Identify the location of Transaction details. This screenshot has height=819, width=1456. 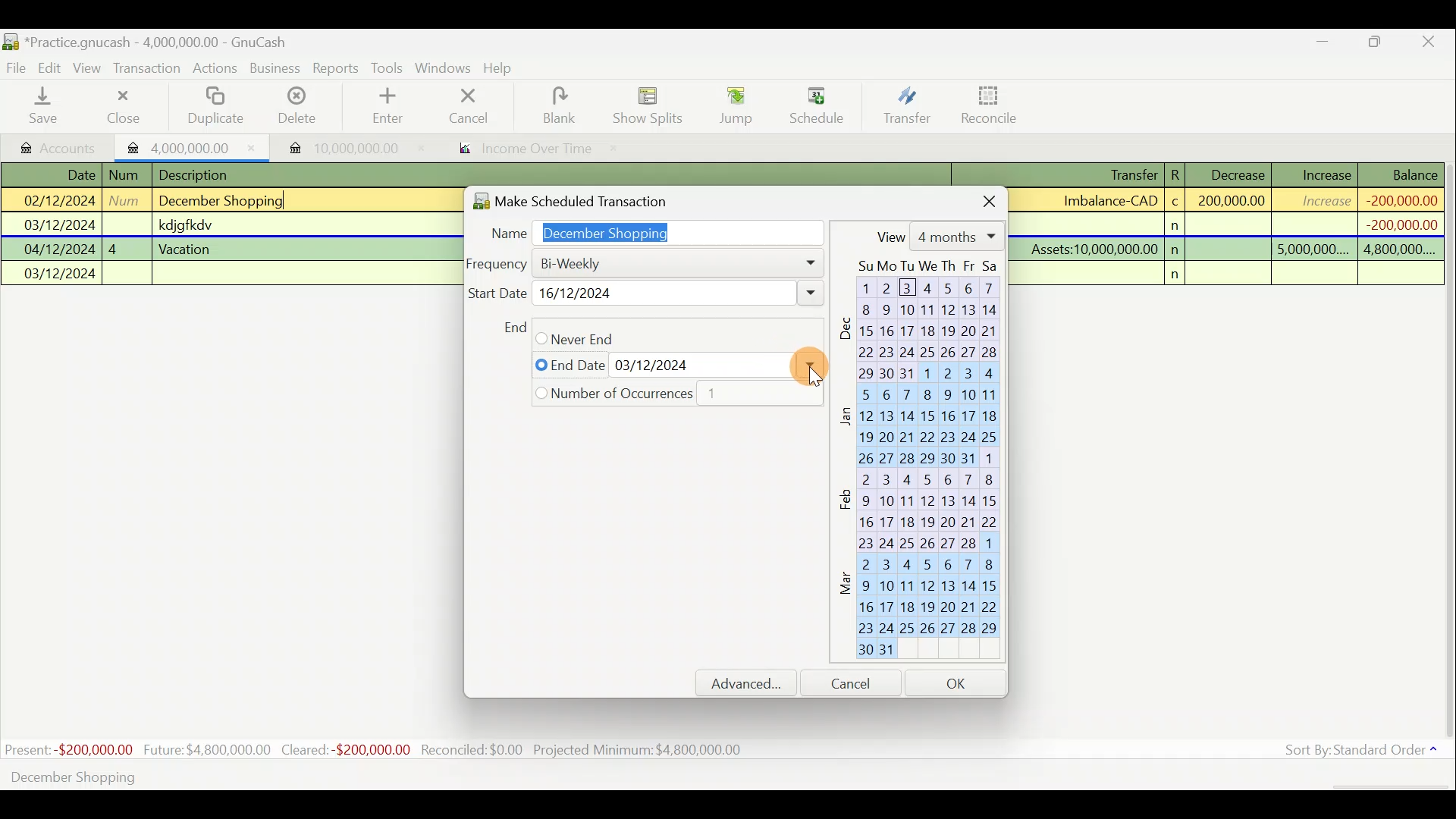
(1235, 224).